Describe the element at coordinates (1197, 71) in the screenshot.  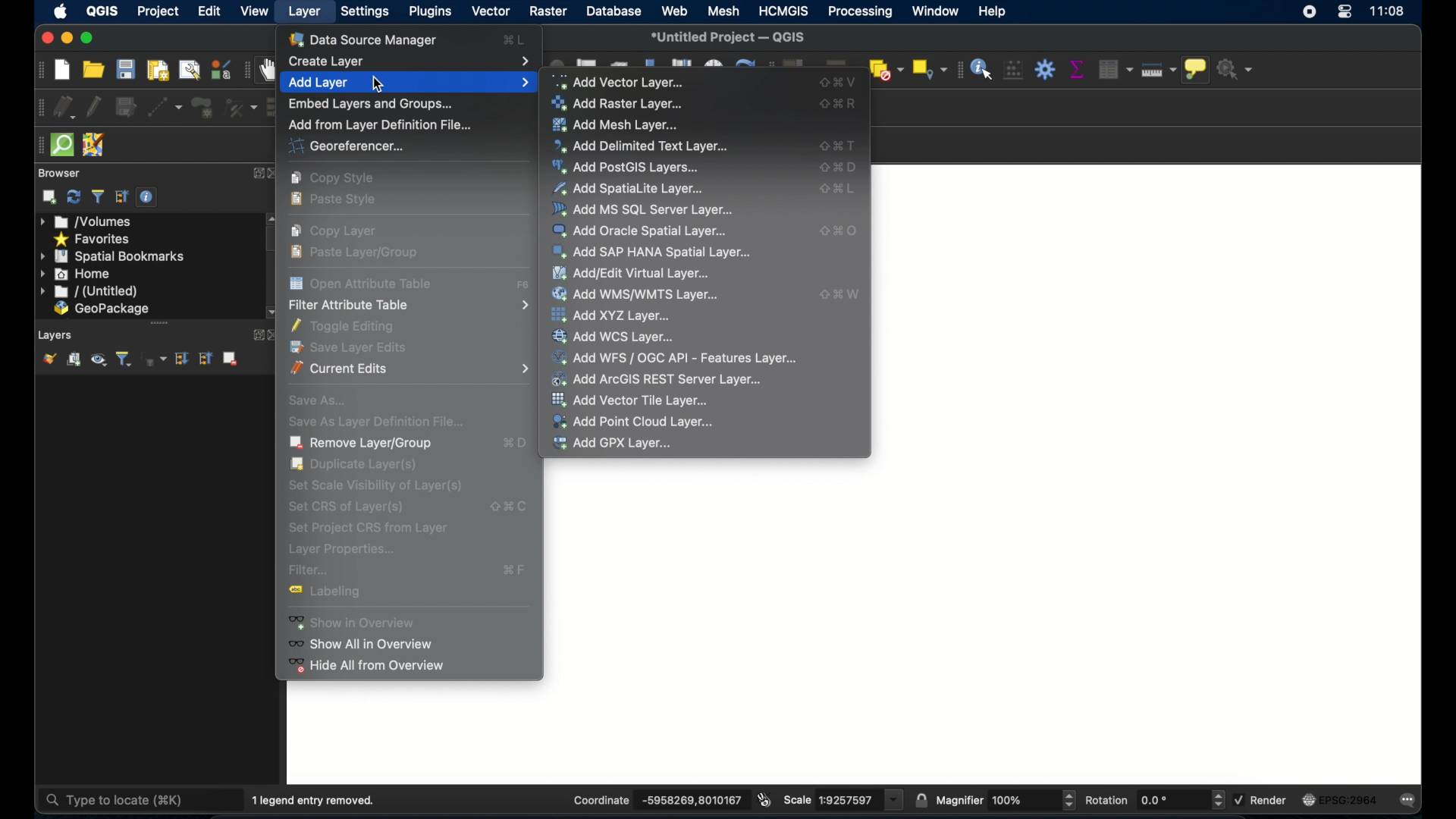
I see `show map tips` at that location.